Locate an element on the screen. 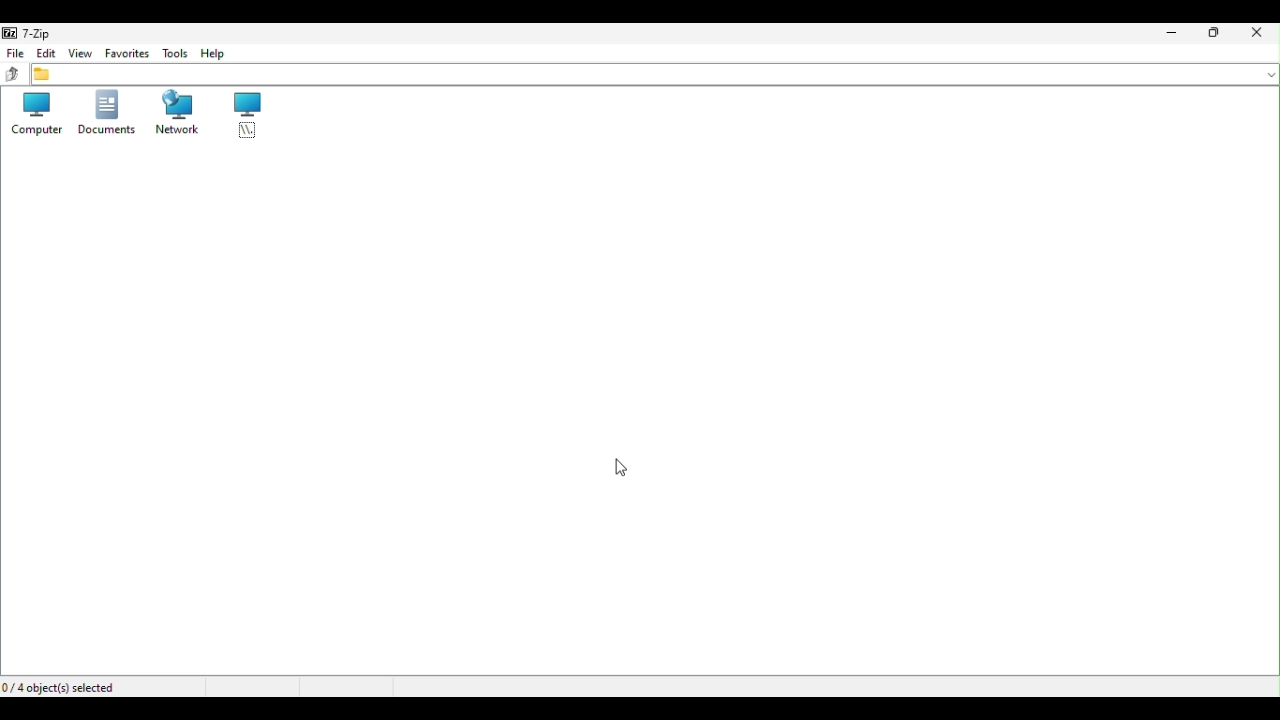 The width and height of the screenshot is (1280, 720). 7 zip is located at coordinates (29, 31).